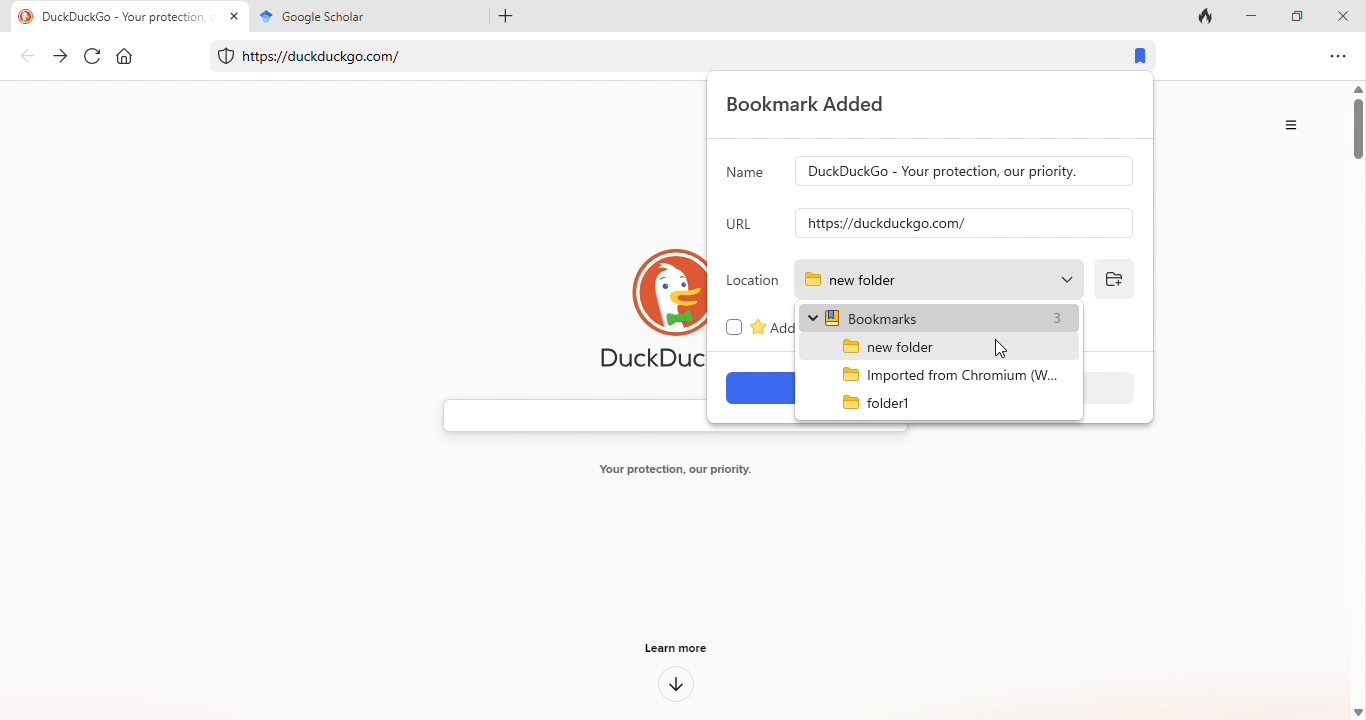  I want to click on name, so click(745, 176).